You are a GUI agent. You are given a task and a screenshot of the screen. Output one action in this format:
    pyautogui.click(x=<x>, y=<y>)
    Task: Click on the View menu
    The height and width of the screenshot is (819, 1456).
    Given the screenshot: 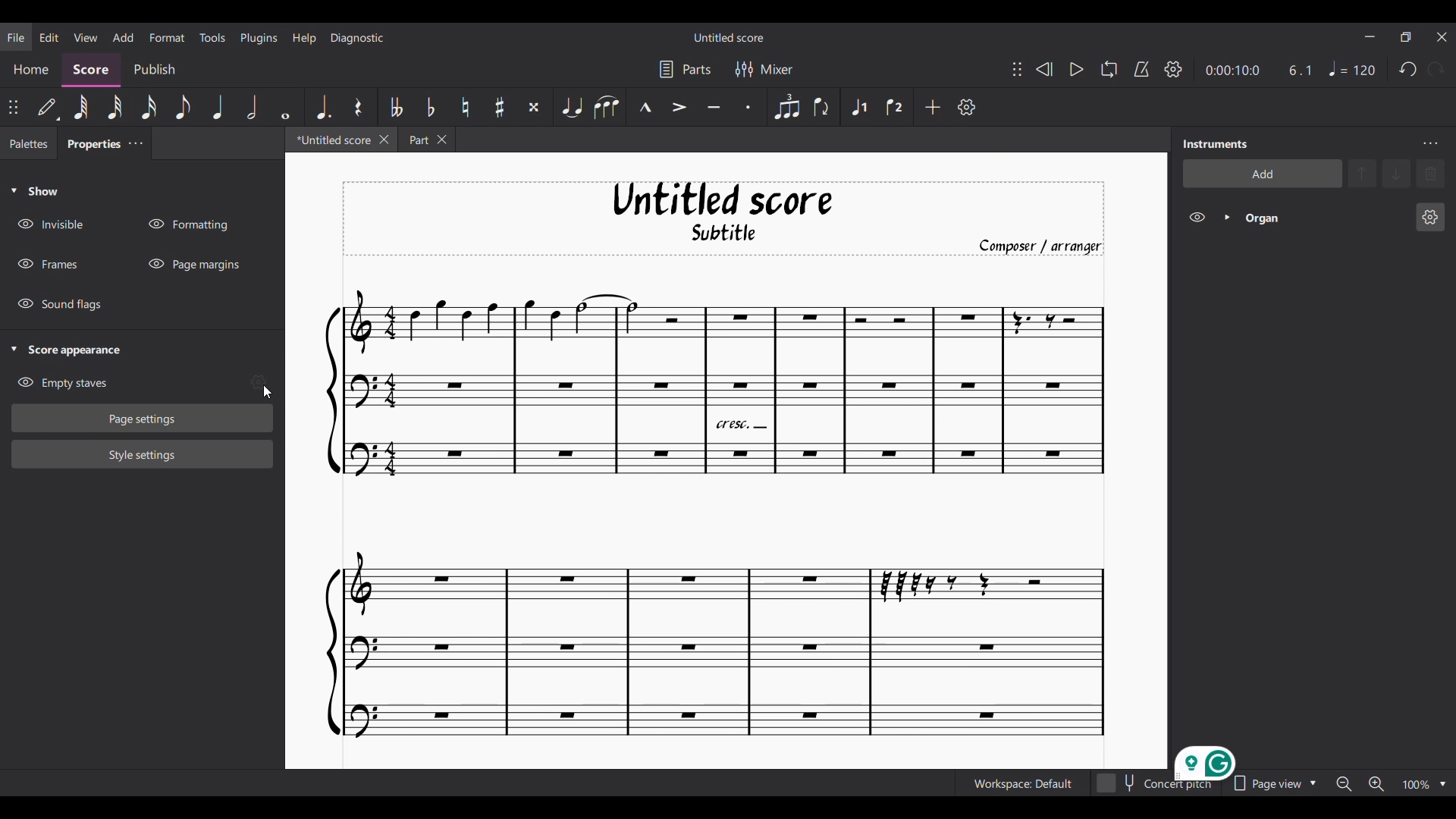 What is the action you would take?
    pyautogui.click(x=86, y=37)
    